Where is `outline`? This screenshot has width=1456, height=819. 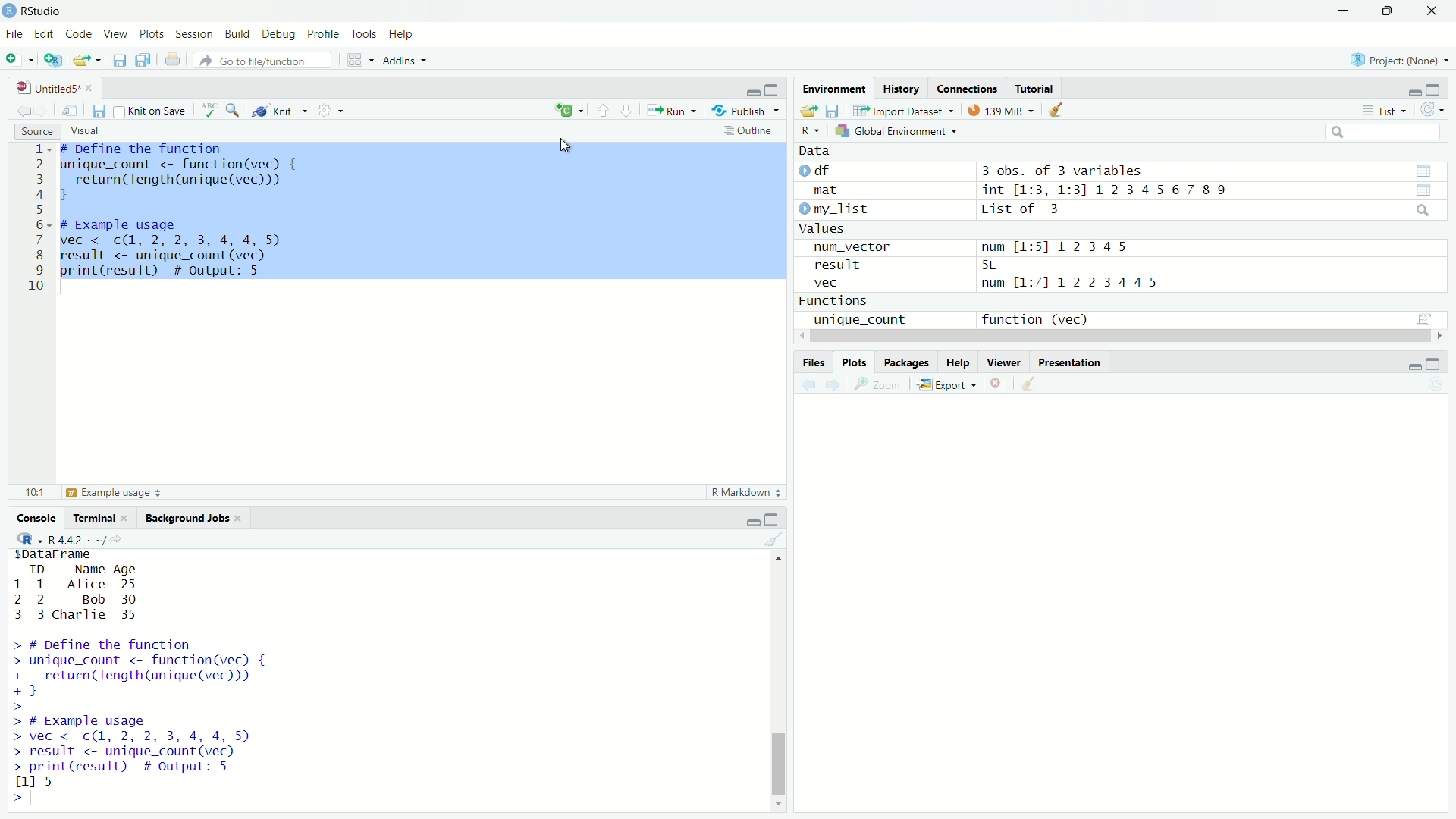 outline is located at coordinates (752, 131).